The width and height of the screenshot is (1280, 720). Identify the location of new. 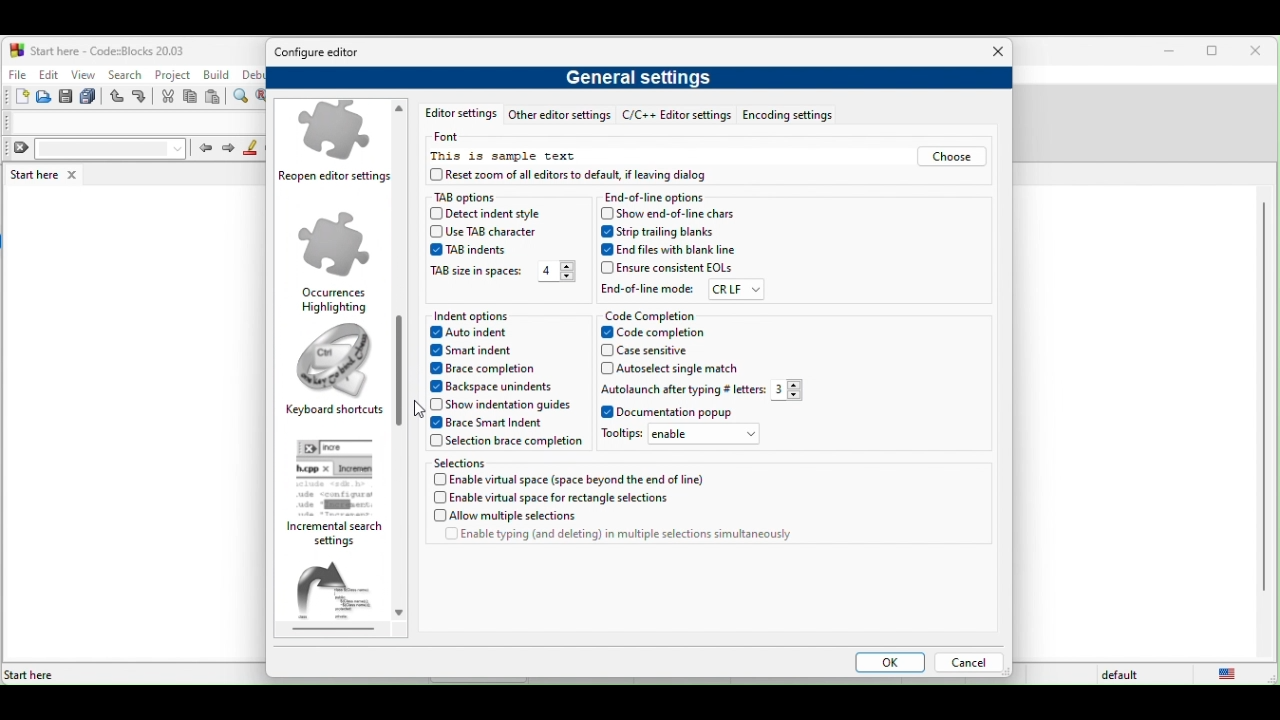
(16, 97).